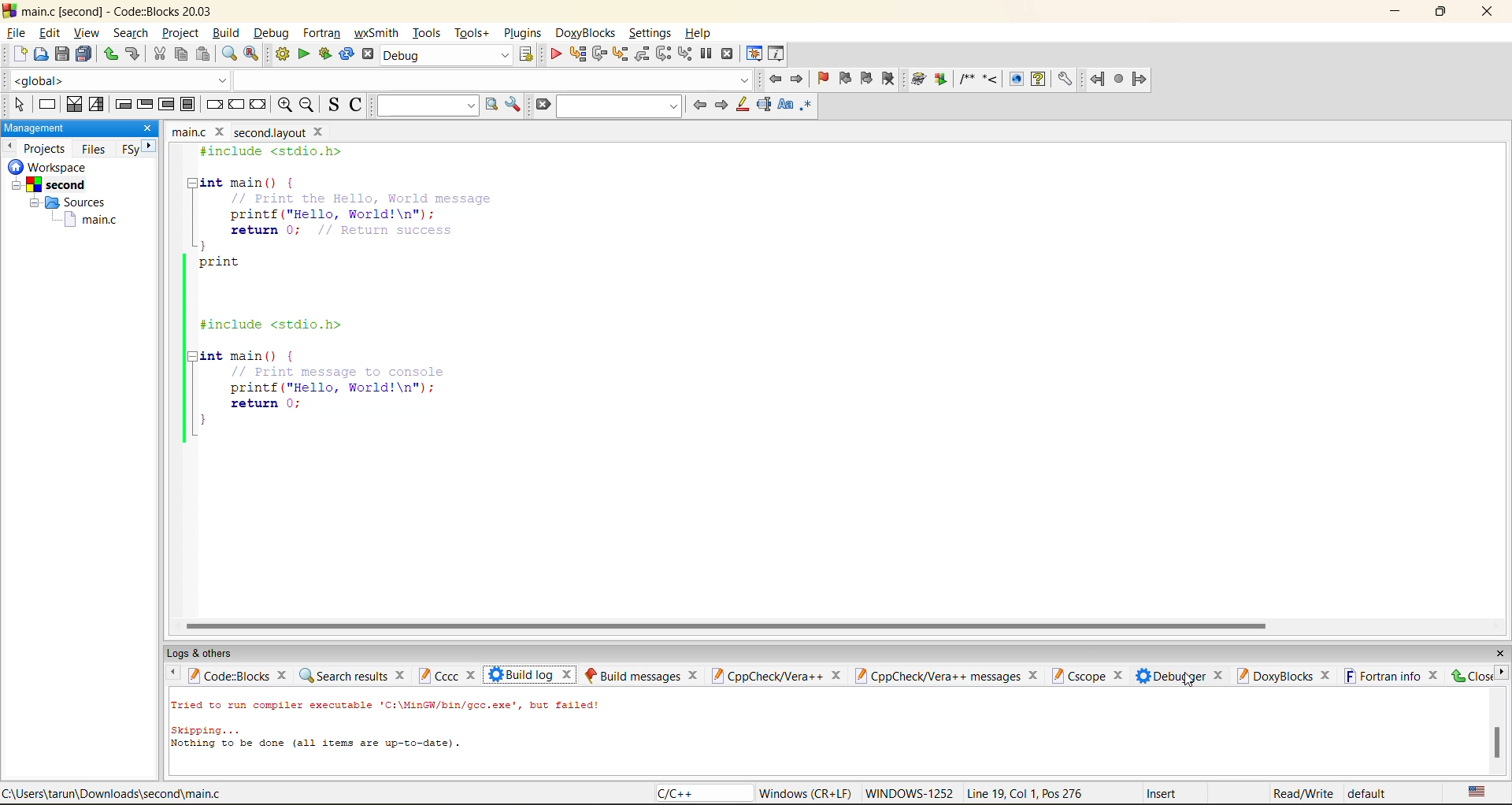  What do you see at coordinates (232, 54) in the screenshot?
I see `find` at bounding box center [232, 54].